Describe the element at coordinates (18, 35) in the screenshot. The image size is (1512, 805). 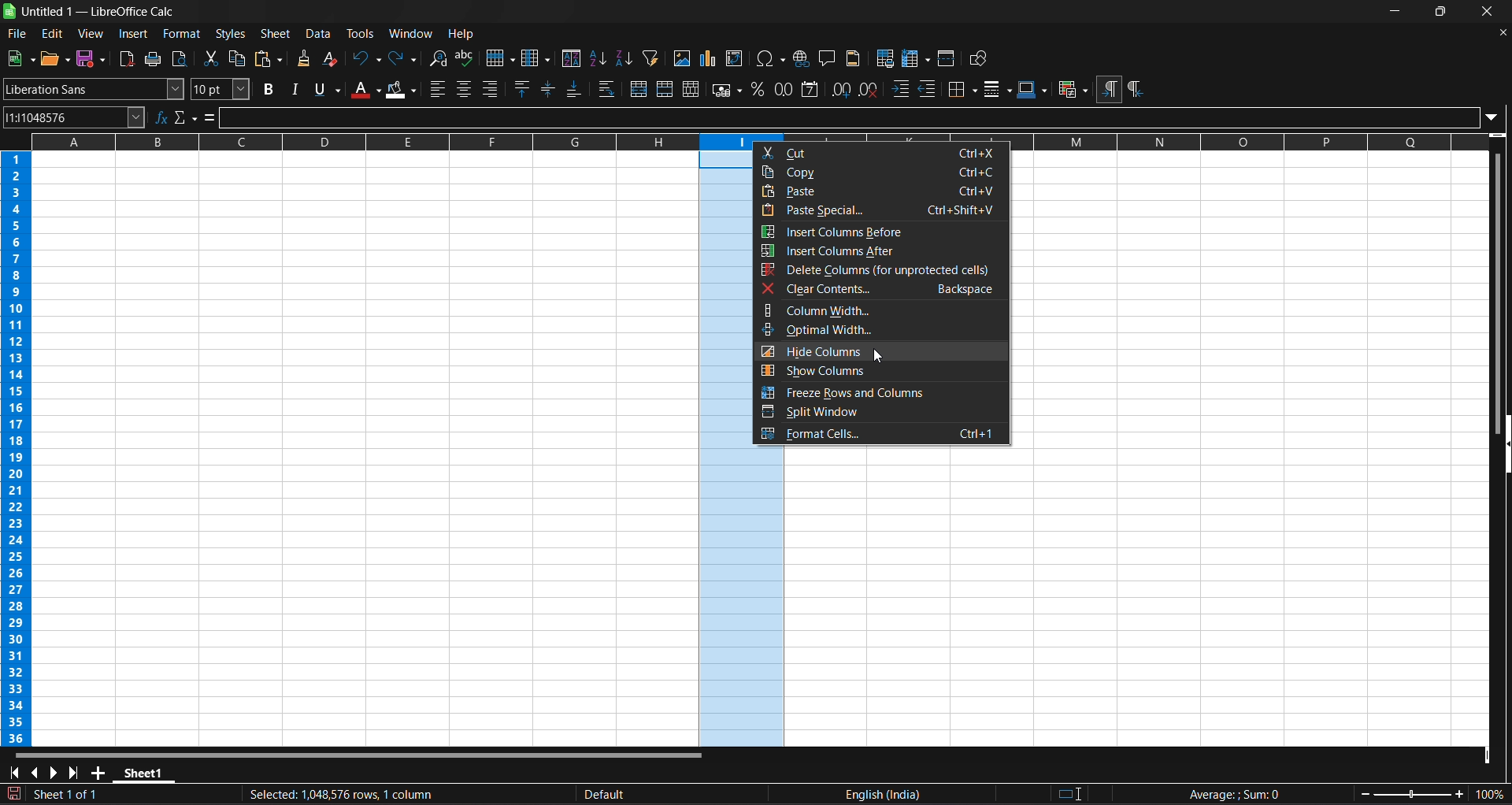
I see `file` at that location.